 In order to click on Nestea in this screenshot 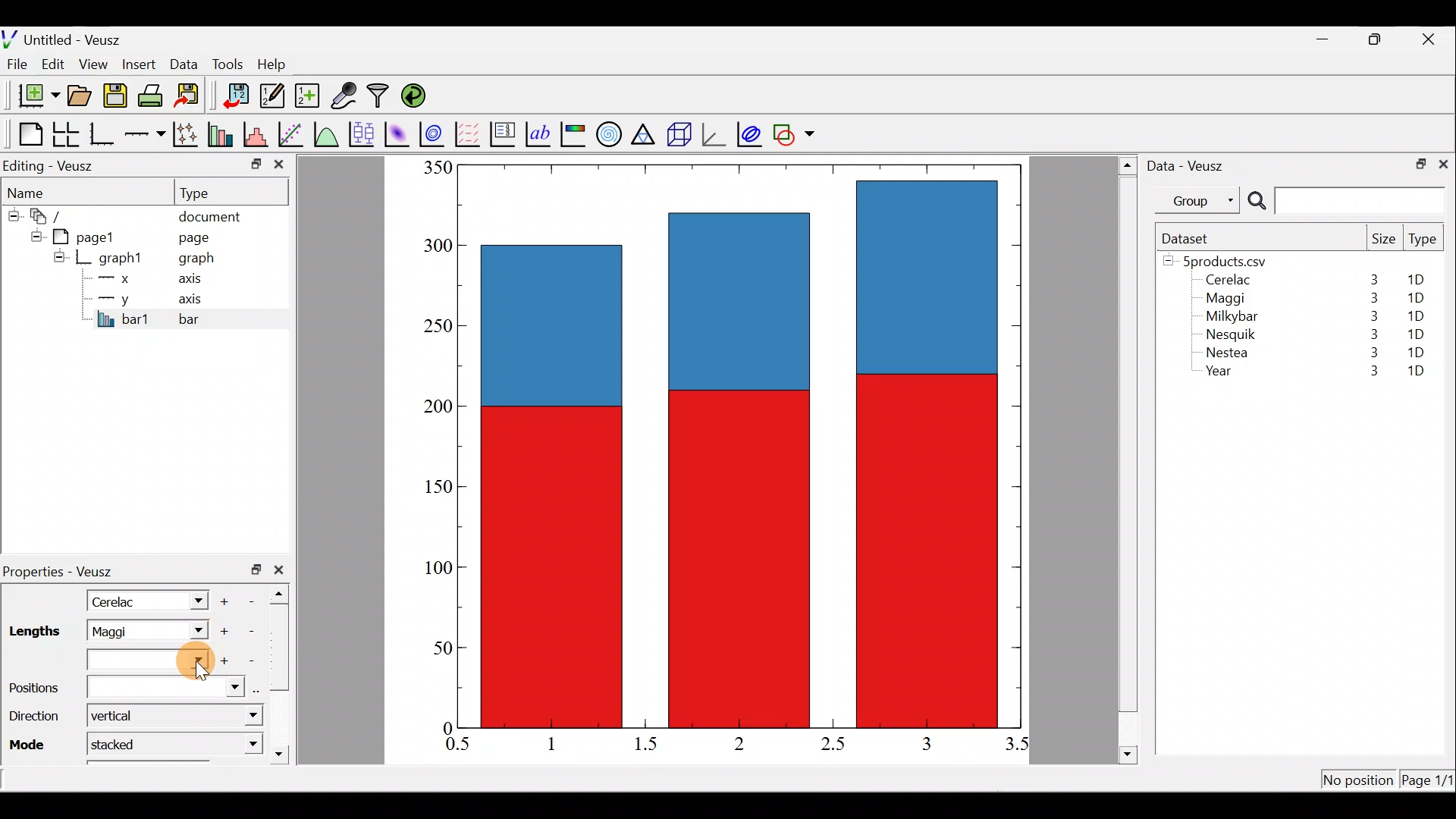, I will do `click(1228, 353)`.